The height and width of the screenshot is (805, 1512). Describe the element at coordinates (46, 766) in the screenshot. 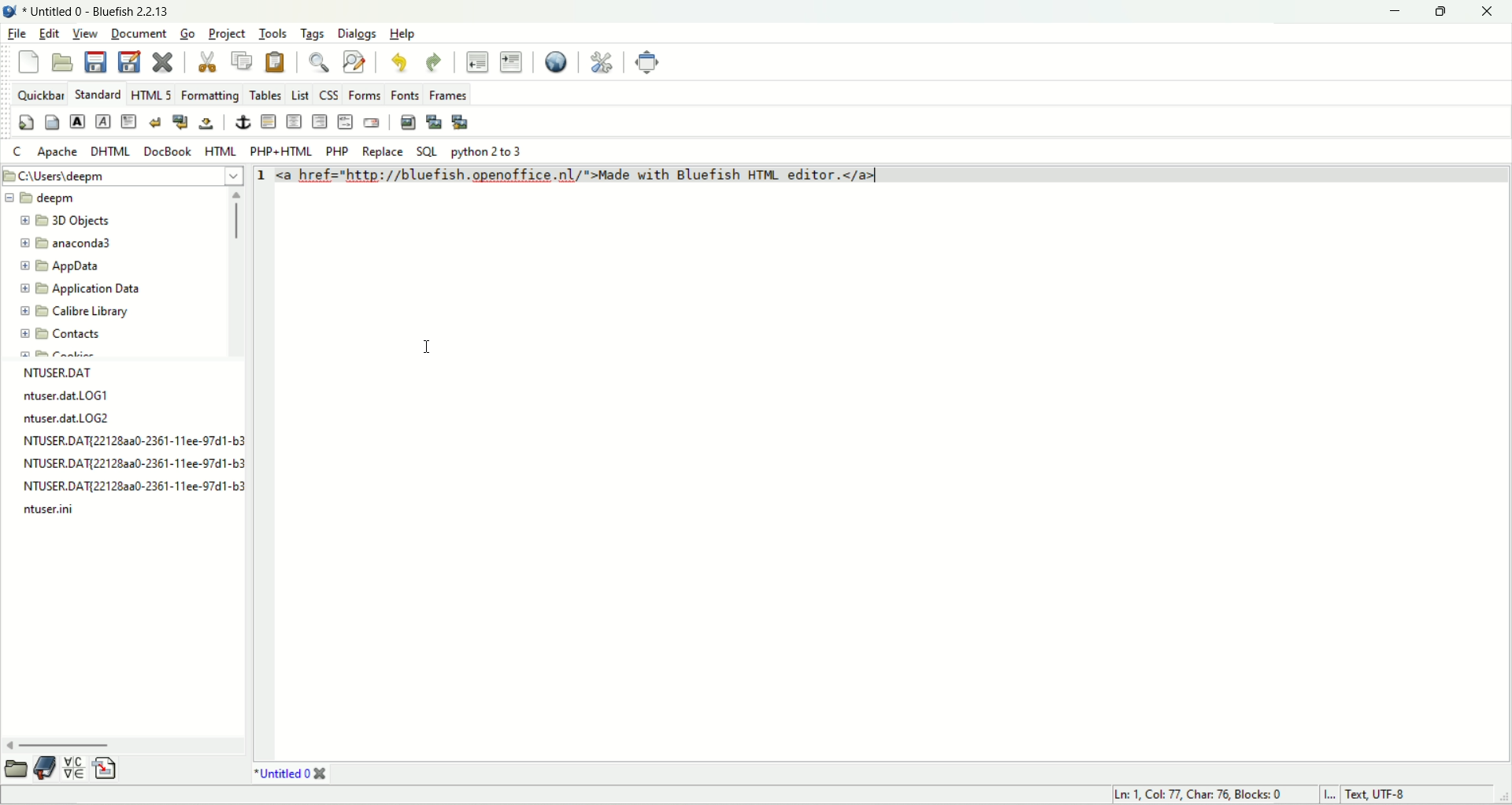

I see `documentation` at that location.